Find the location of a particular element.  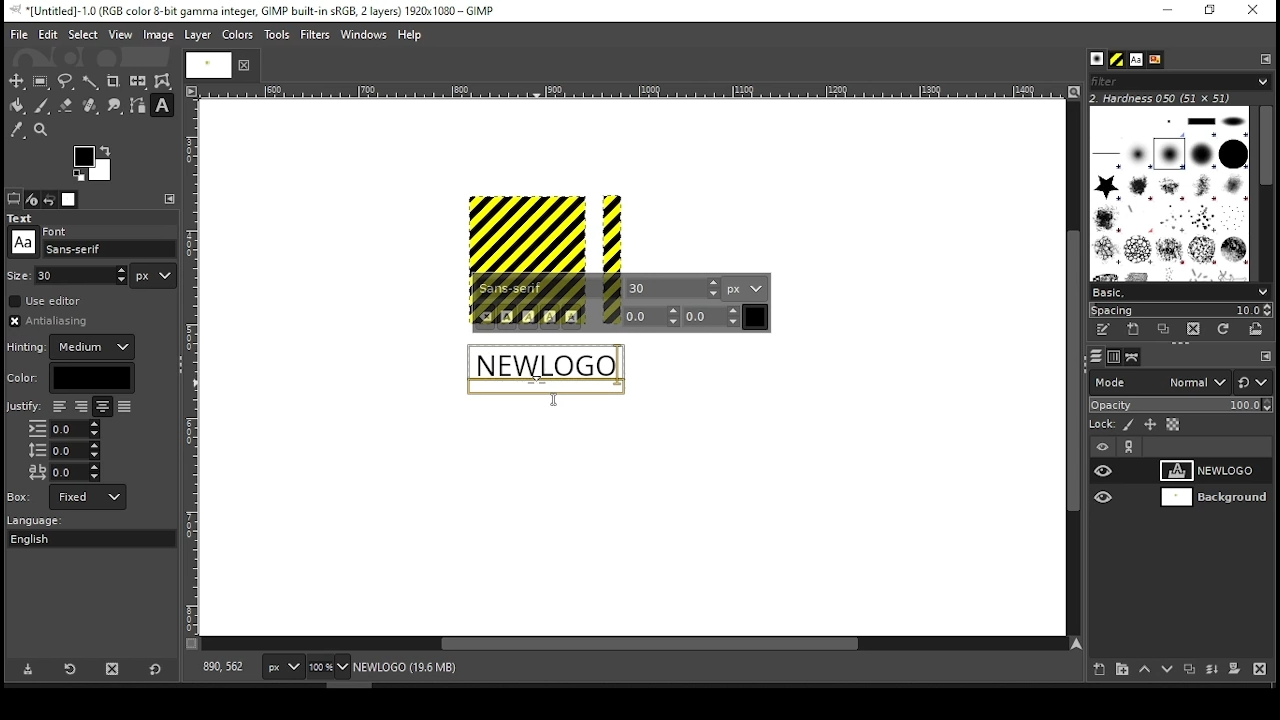

paint bucket tool is located at coordinates (18, 105).